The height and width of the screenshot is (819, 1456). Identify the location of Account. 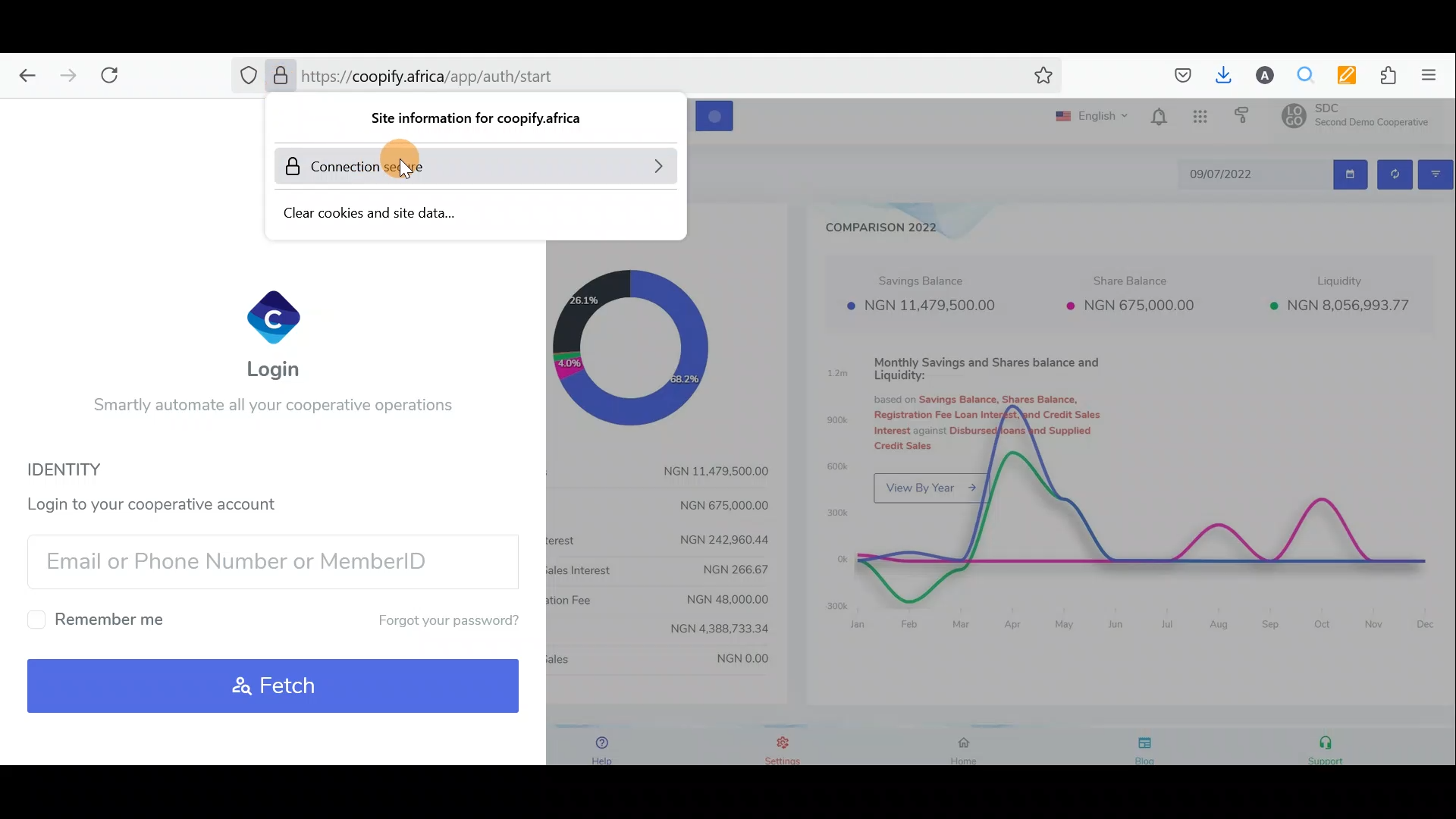
(1259, 75).